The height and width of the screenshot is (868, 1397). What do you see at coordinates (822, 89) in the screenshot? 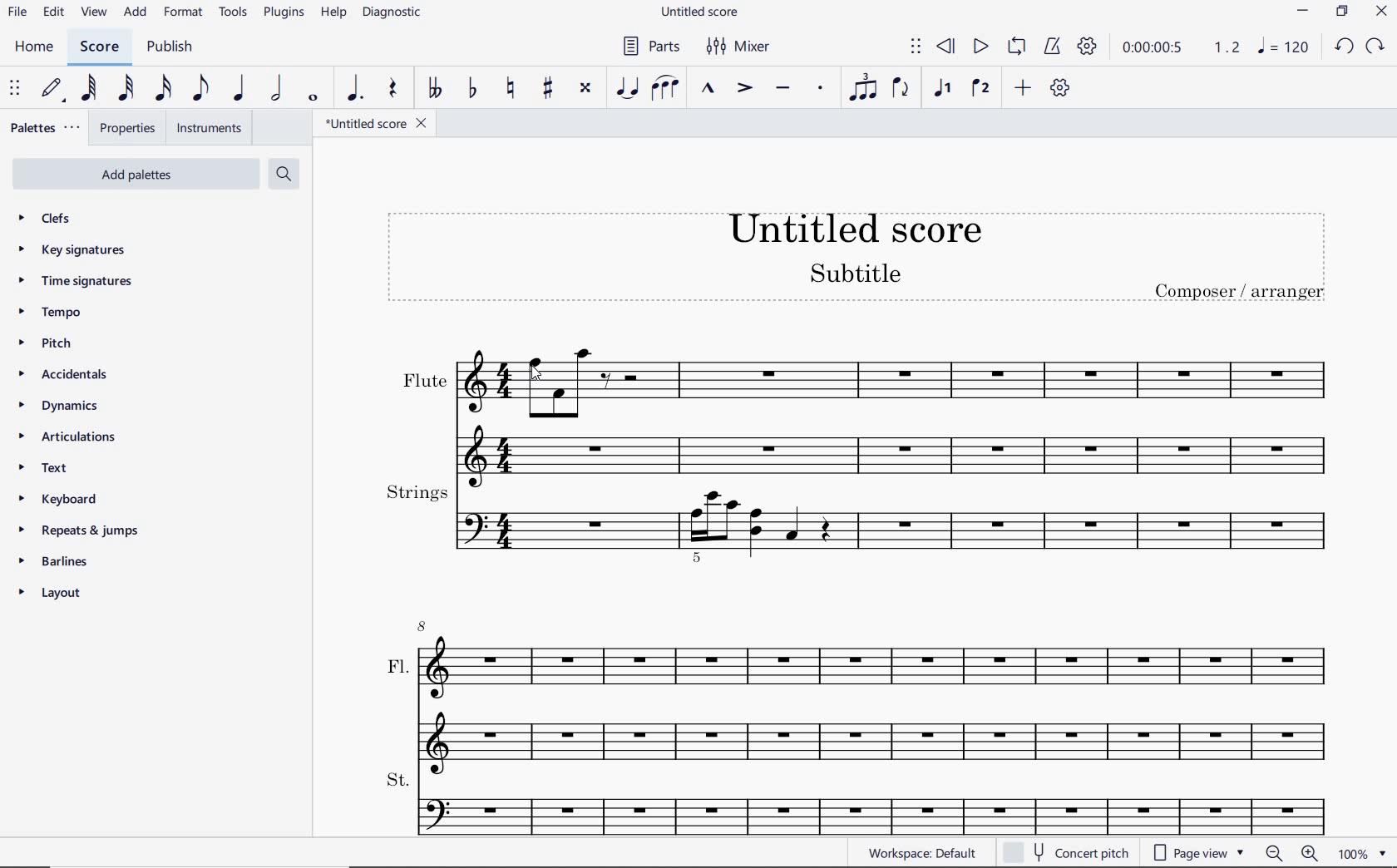
I see `STACCATO` at bounding box center [822, 89].